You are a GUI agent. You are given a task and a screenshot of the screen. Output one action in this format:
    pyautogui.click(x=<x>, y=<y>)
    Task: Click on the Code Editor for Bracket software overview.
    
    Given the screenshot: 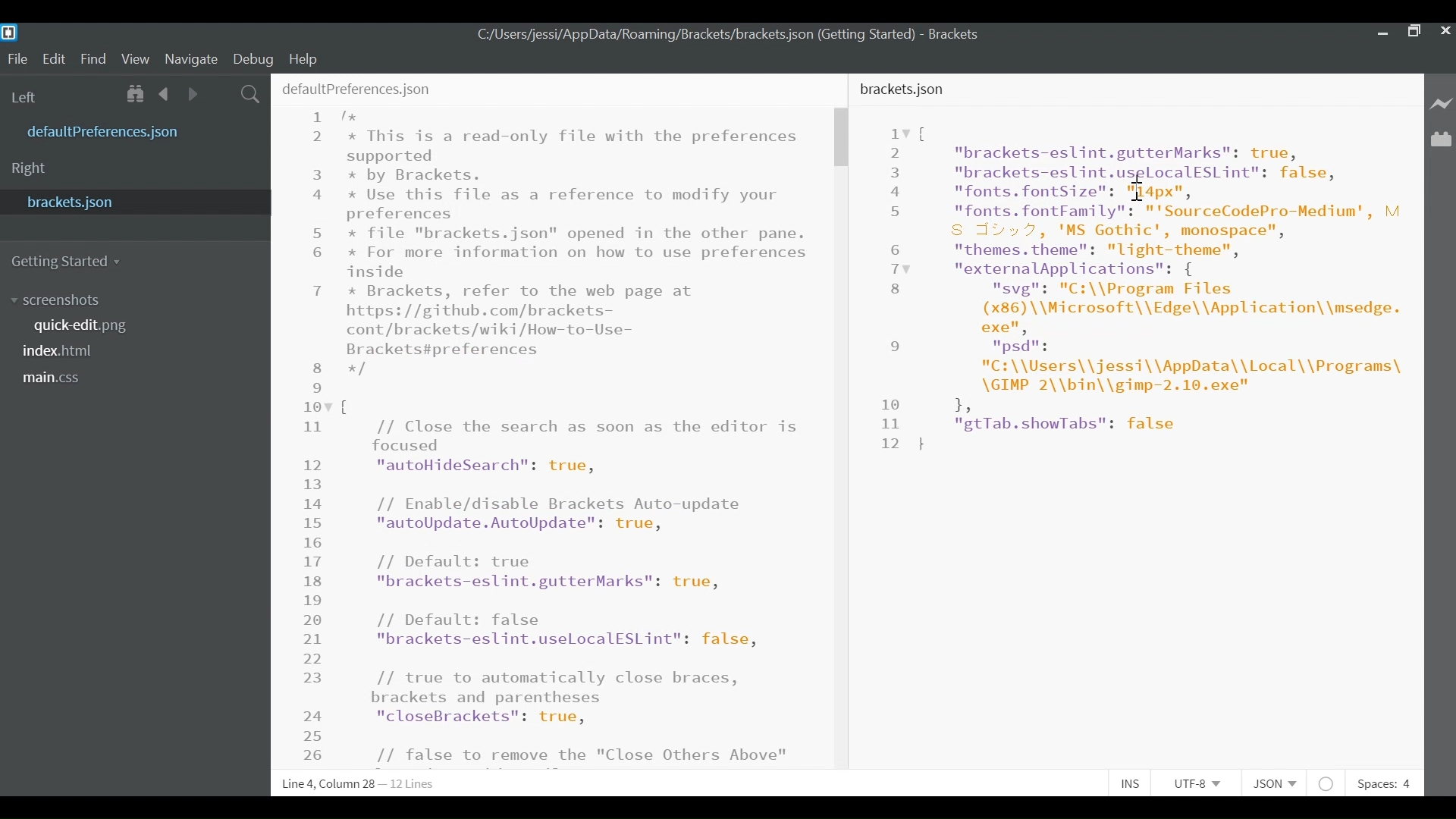 What is the action you would take?
    pyautogui.click(x=1166, y=288)
    